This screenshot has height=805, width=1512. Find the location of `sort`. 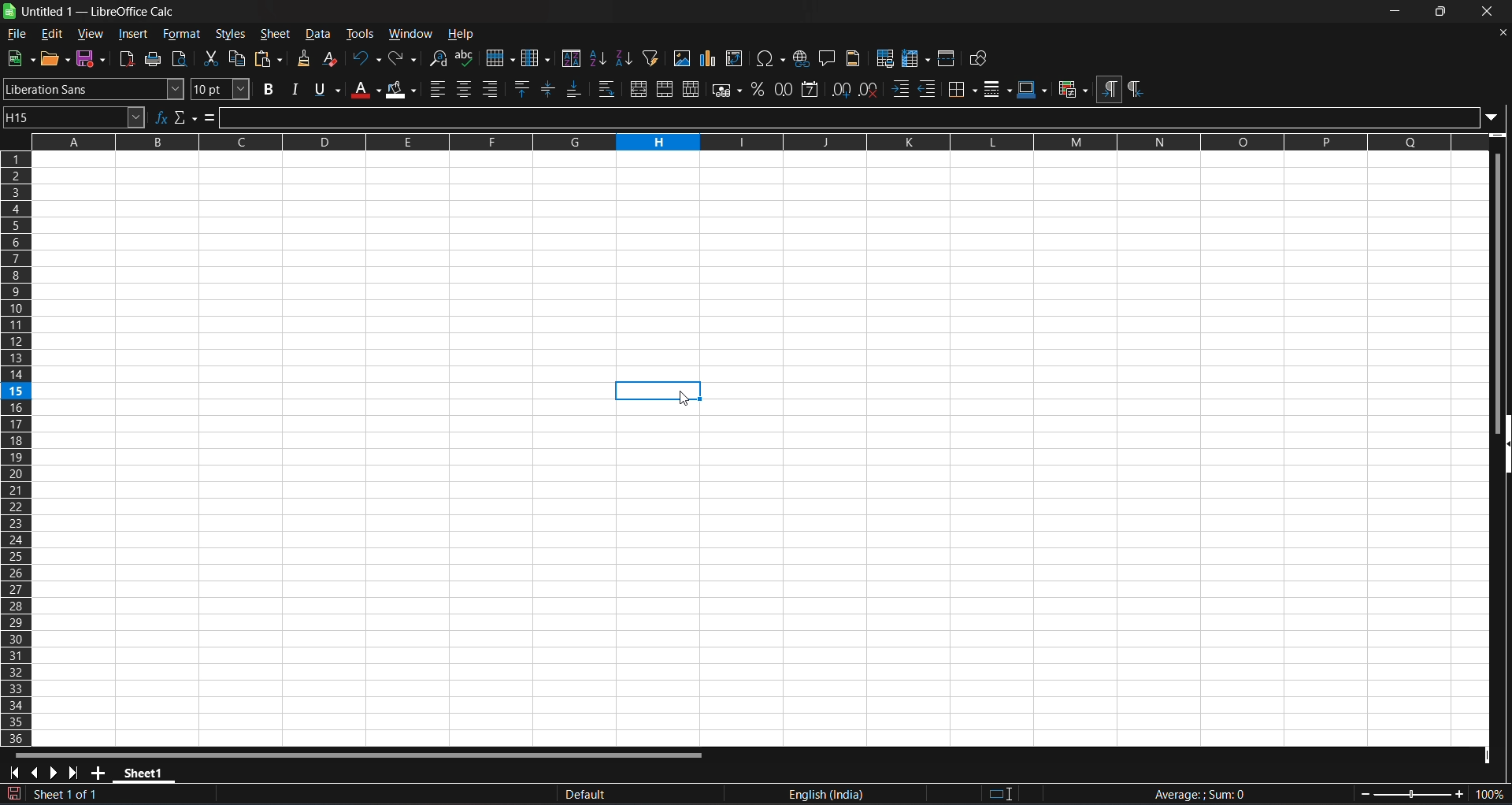

sort is located at coordinates (571, 57).